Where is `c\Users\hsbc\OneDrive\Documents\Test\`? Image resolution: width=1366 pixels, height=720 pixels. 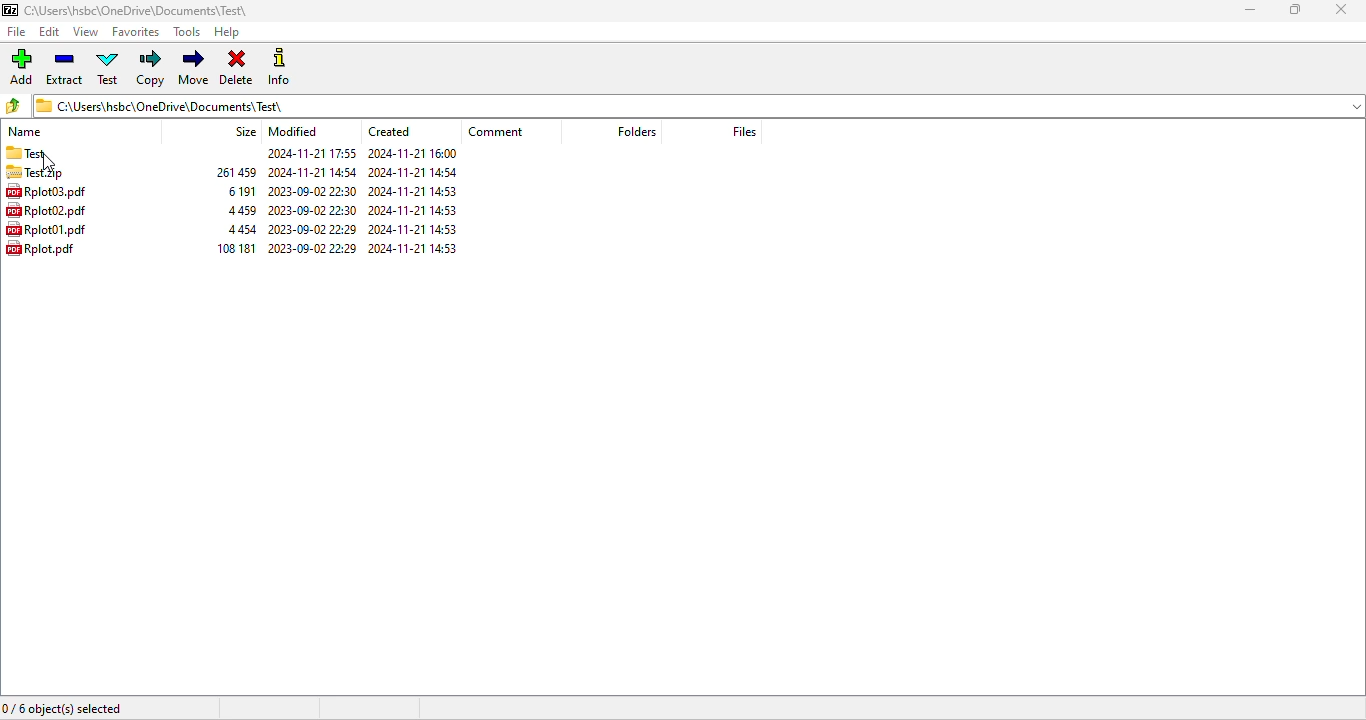 c\Users\hsbc\OneDrive\Documents\Test\ is located at coordinates (143, 11).